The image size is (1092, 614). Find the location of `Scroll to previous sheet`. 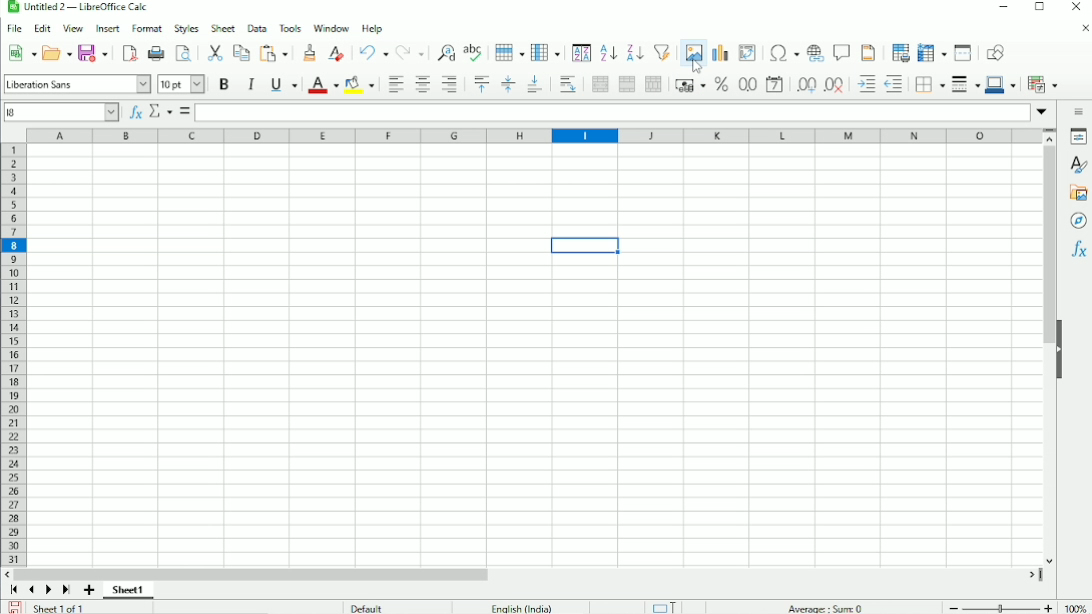

Scroll to previous sheet is located at coordinates (31, 590).